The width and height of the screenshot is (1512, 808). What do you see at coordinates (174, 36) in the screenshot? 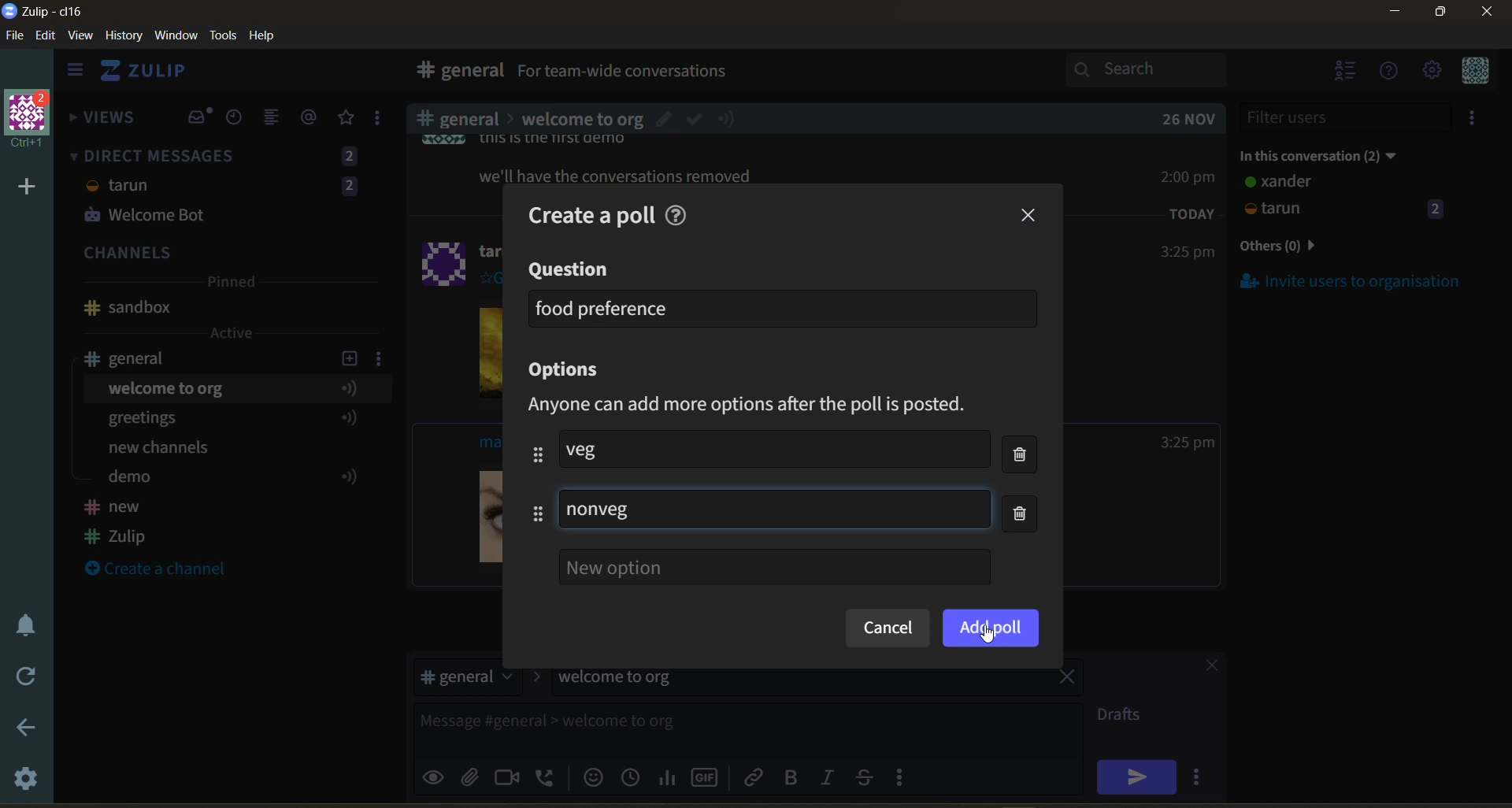
I see `window` at bounding box center [174, 36].